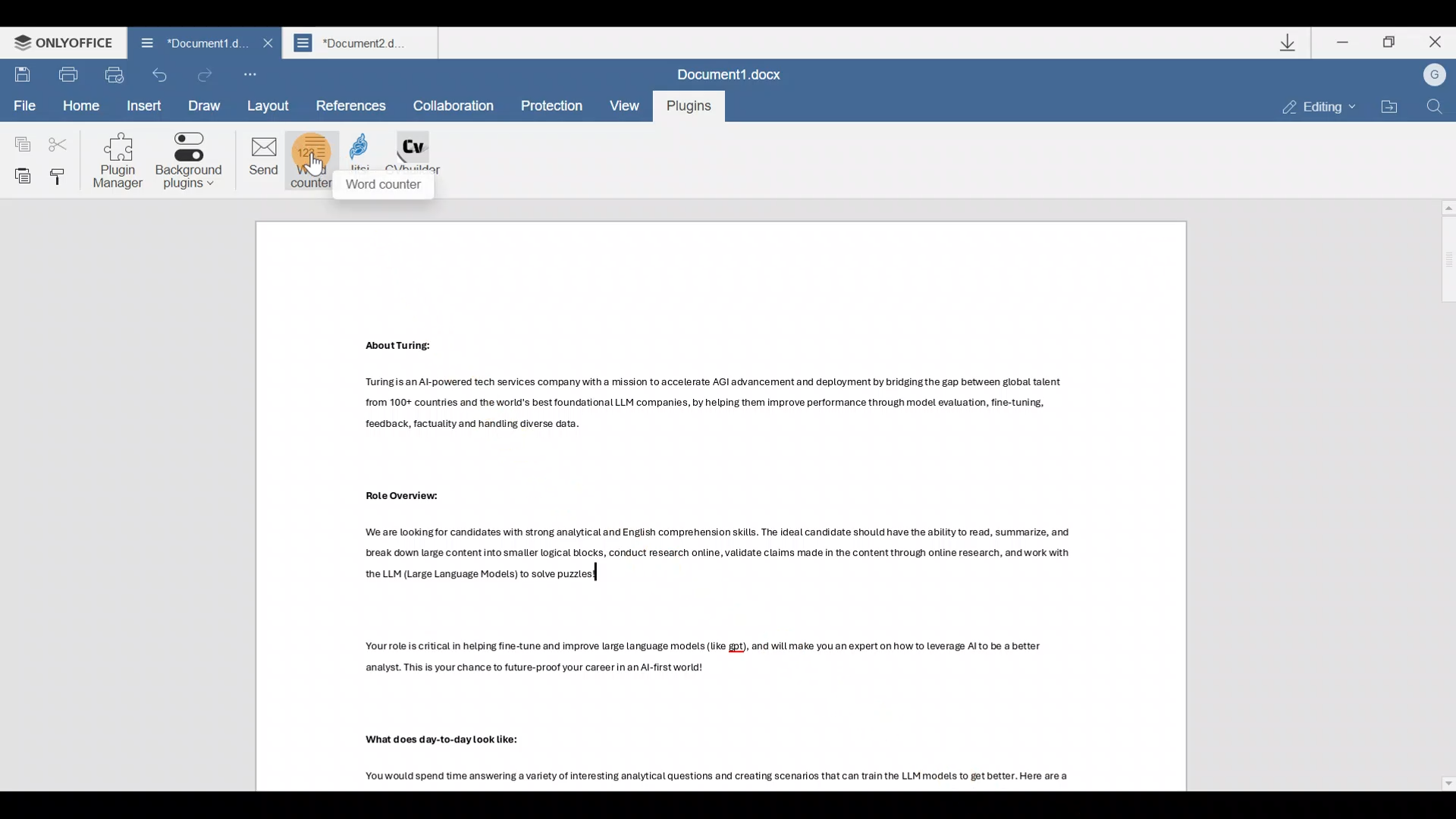 This screenshot has width=1456, height=819. What do you see at coordinates (56, 145) in the screenshot?
I see `Cut` at bounding box center [56, 145].